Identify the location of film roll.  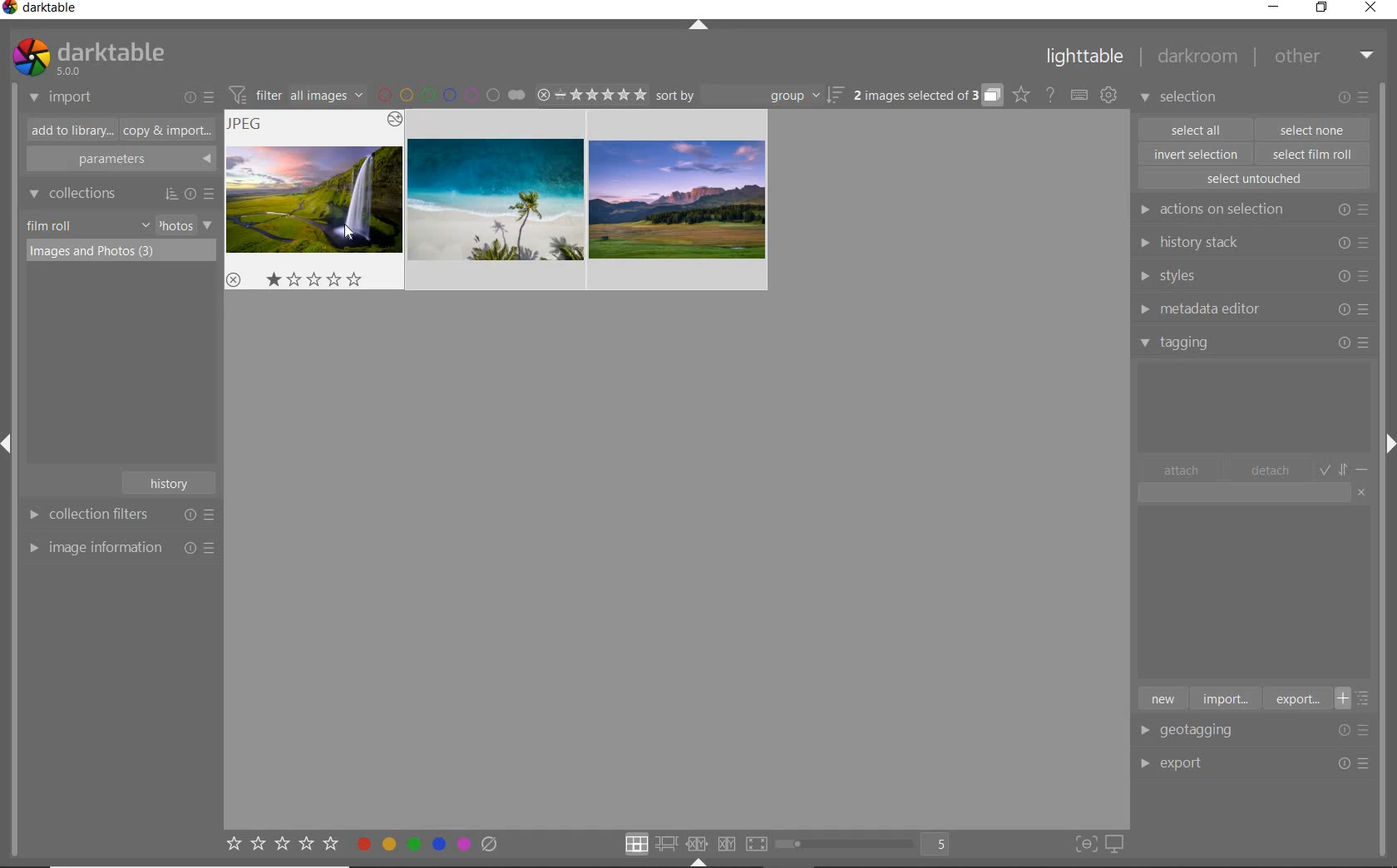
(51, 225).